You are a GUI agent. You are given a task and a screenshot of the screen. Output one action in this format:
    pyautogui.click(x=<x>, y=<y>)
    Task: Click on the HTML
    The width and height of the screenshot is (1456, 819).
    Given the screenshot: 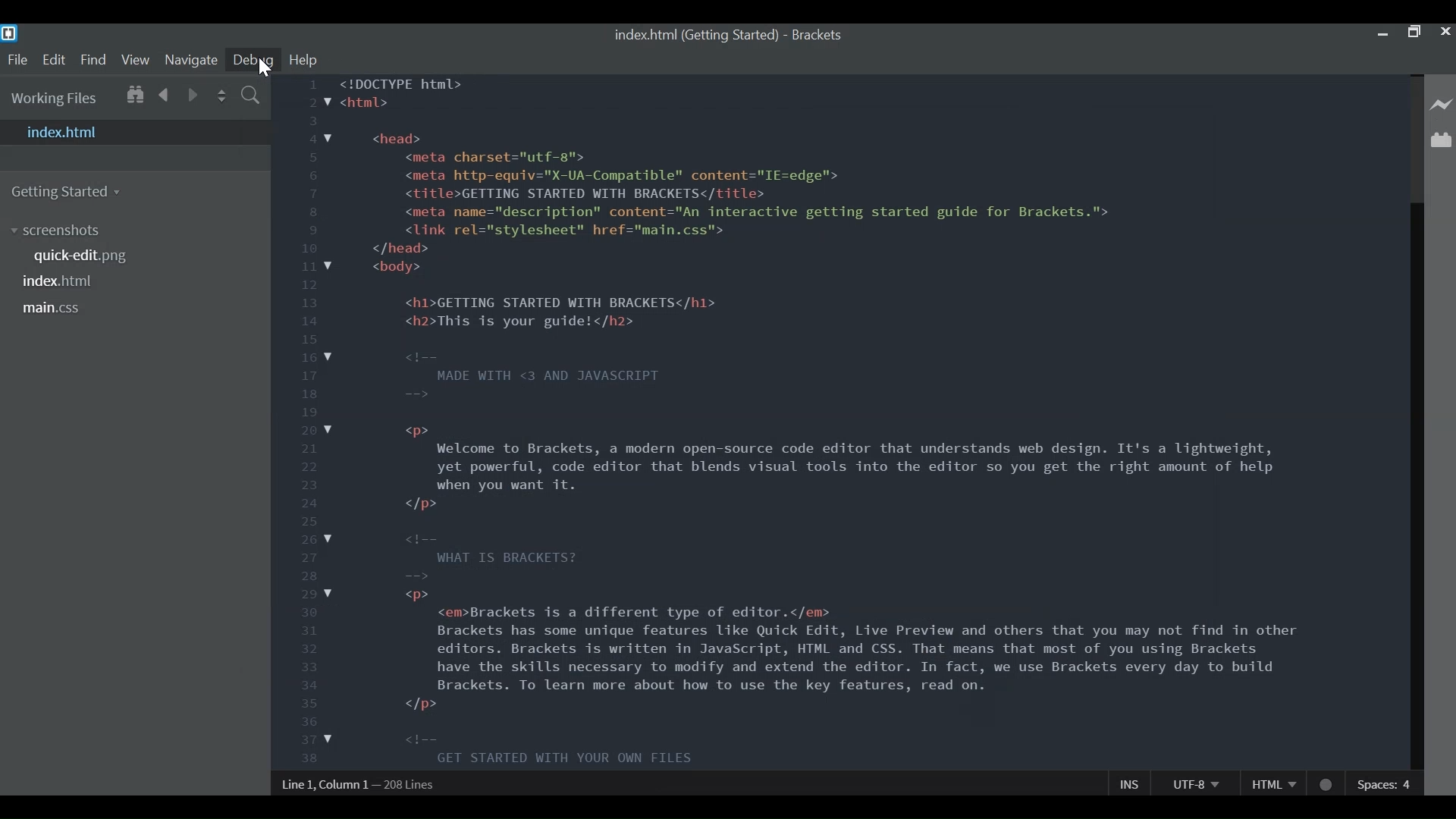 What is the action you would take?
    pyautogui.click(x=1272, y=784)
    